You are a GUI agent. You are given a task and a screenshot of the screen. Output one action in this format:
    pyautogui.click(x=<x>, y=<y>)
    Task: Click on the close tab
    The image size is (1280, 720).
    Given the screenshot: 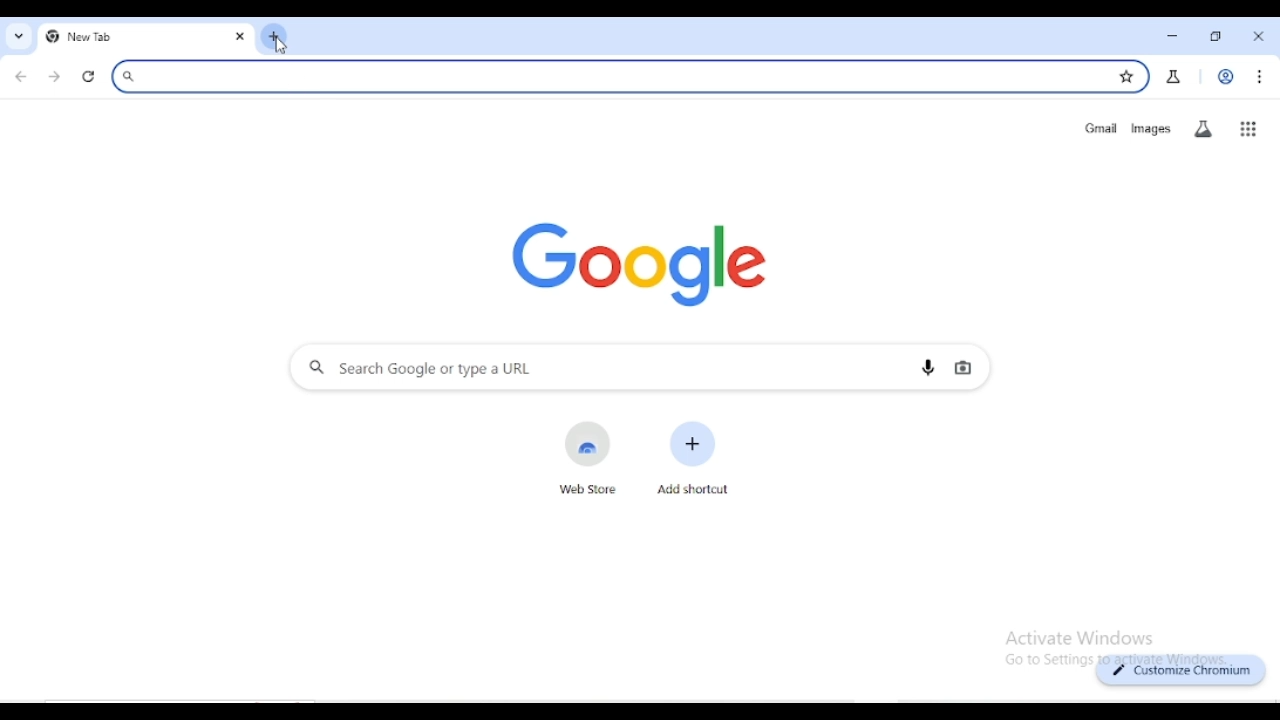 What is the action you would take?
    pyautogui.click(x=240, y=38)
    